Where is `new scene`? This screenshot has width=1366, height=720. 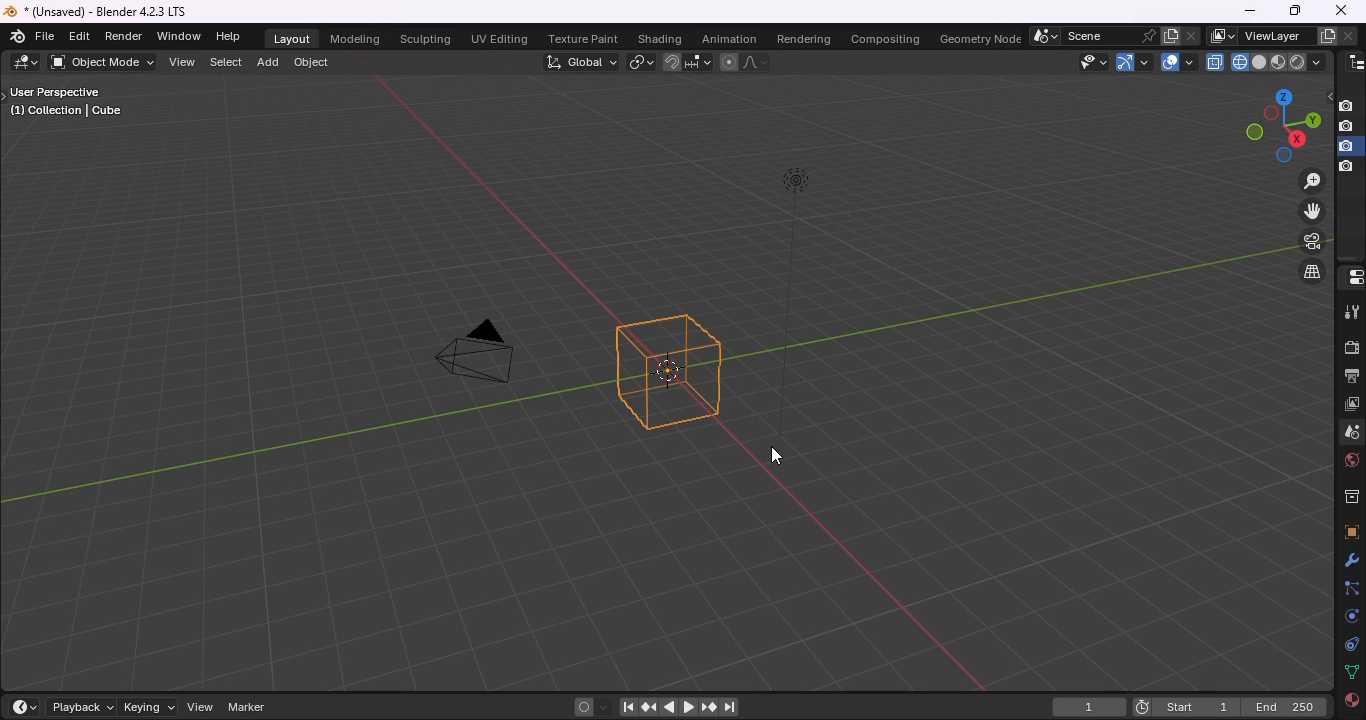
new scene is located at coordinates (1171, 35).